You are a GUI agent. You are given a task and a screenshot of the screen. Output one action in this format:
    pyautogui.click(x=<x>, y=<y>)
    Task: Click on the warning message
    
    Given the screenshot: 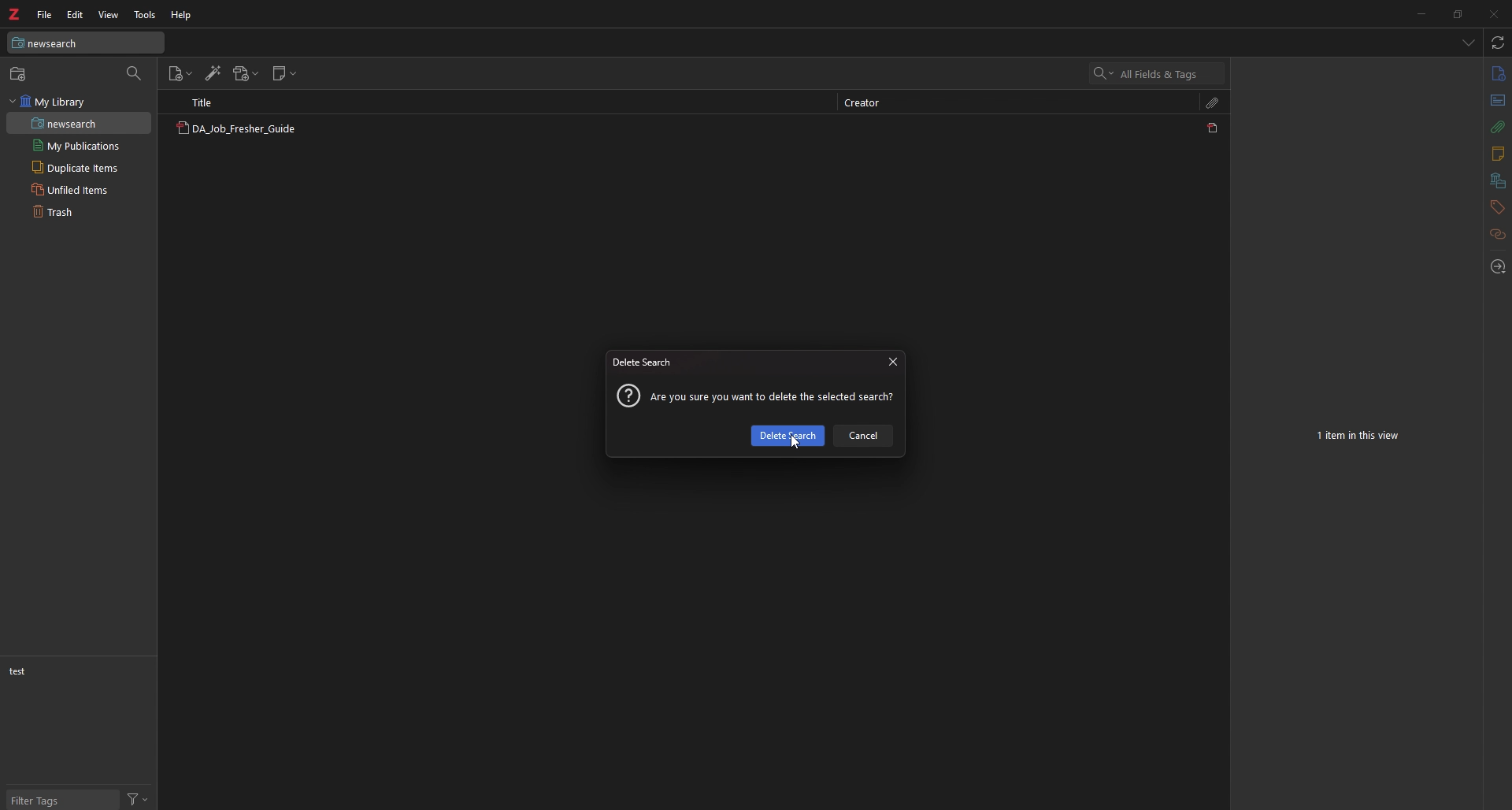 What is the action you would take?
    pyautogui.click(x=773, y=399)
    